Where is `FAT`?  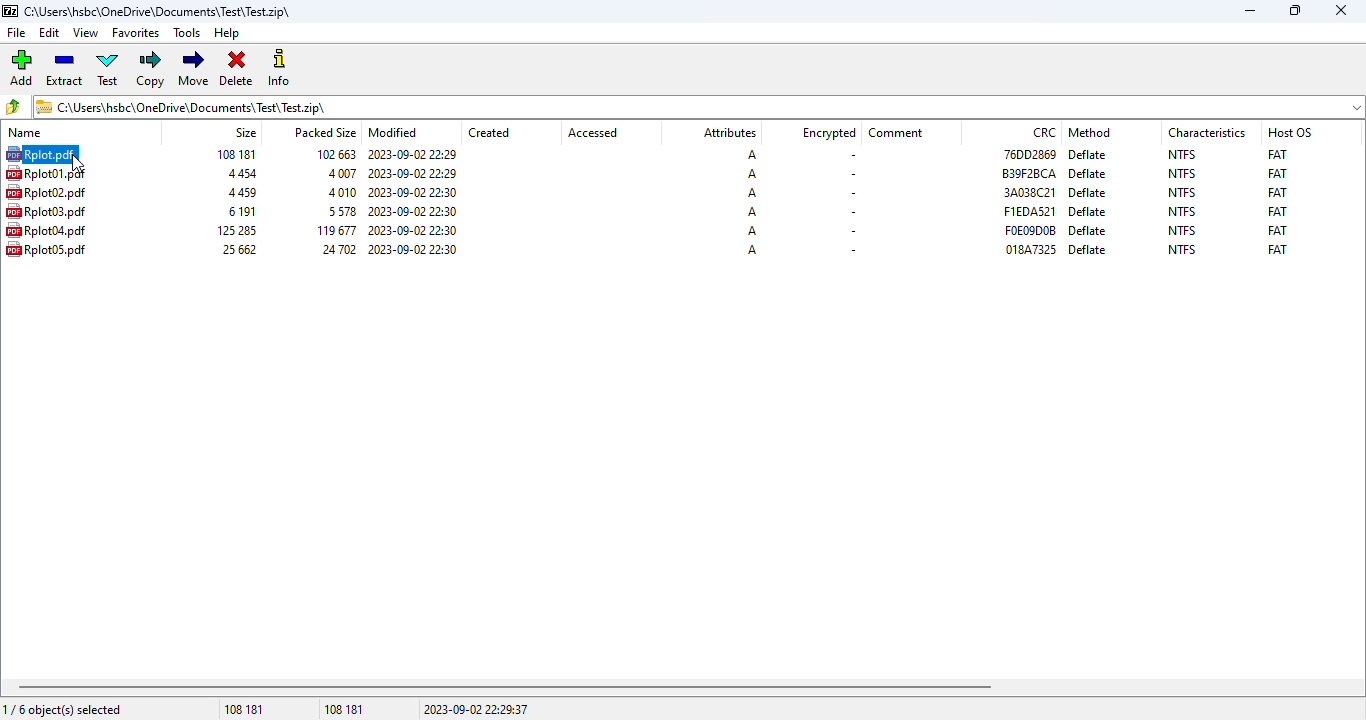
FAT is located at coordinates (1277, 192).